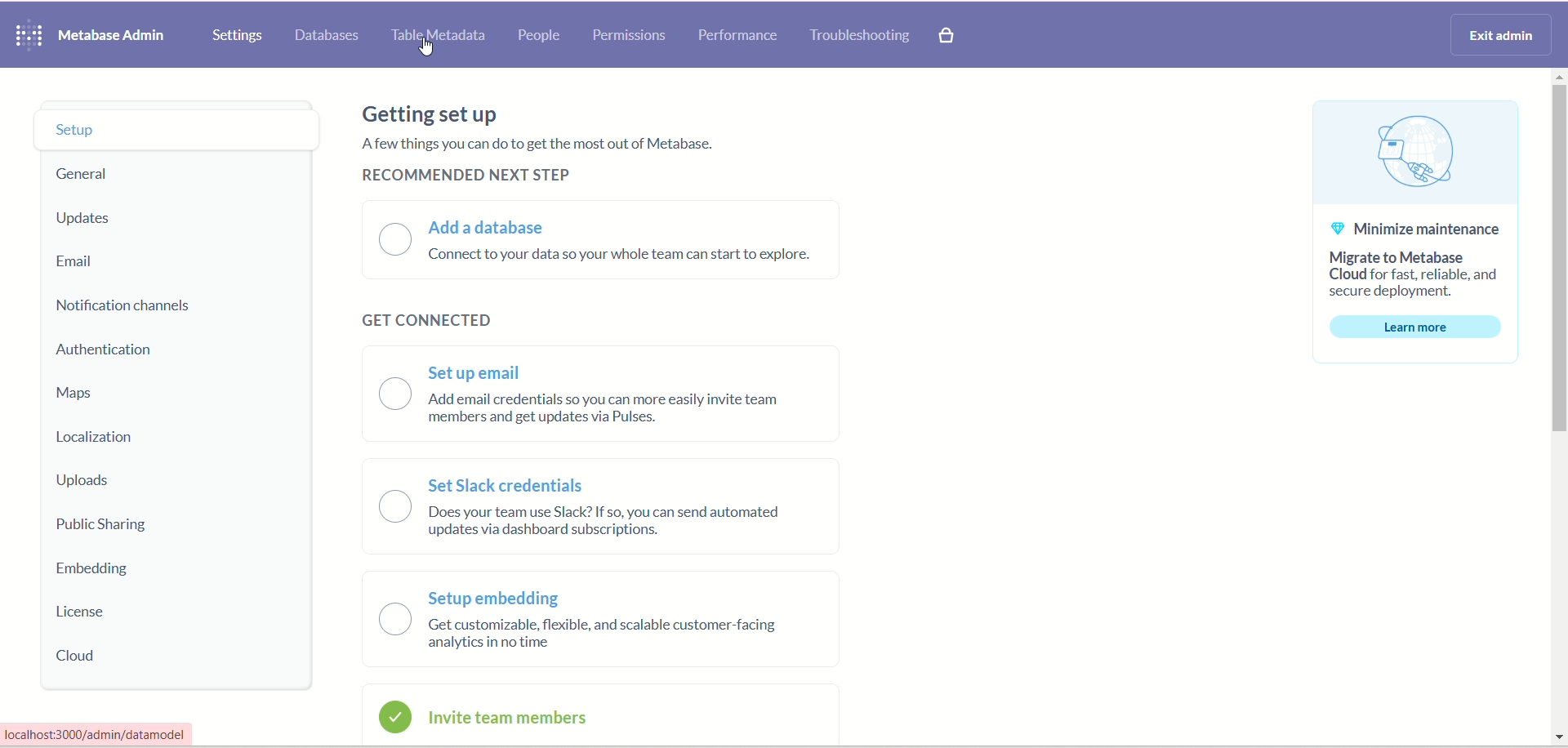 Image resolution: width=1568 pixels, height=748 pixels. What do you see at coordinates (180, 132) in the screenshot?
I see `setup` at bounding box center [180, 132].